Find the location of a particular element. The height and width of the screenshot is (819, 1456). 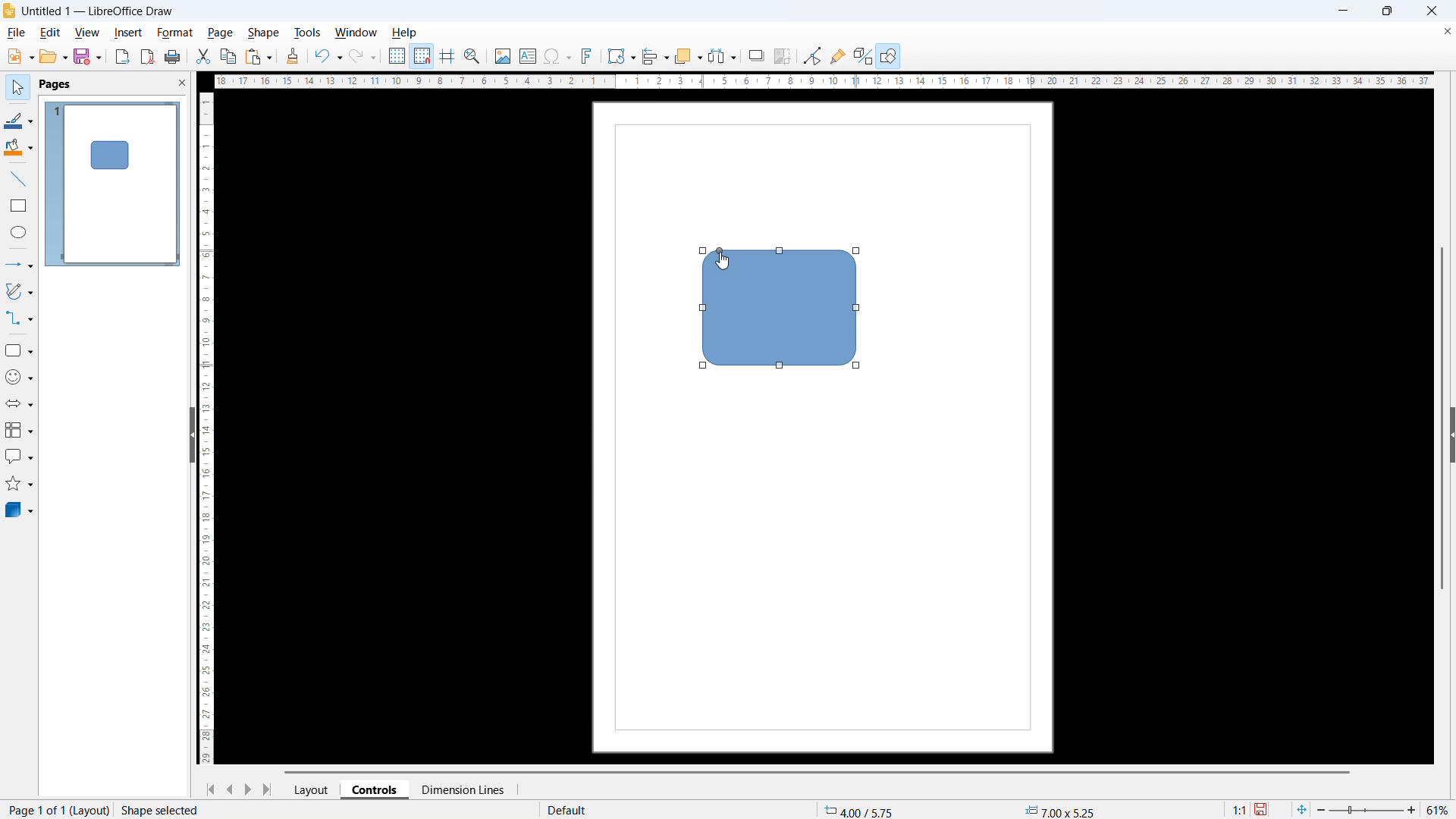

Line colour  is located at coordinates (18, 120).